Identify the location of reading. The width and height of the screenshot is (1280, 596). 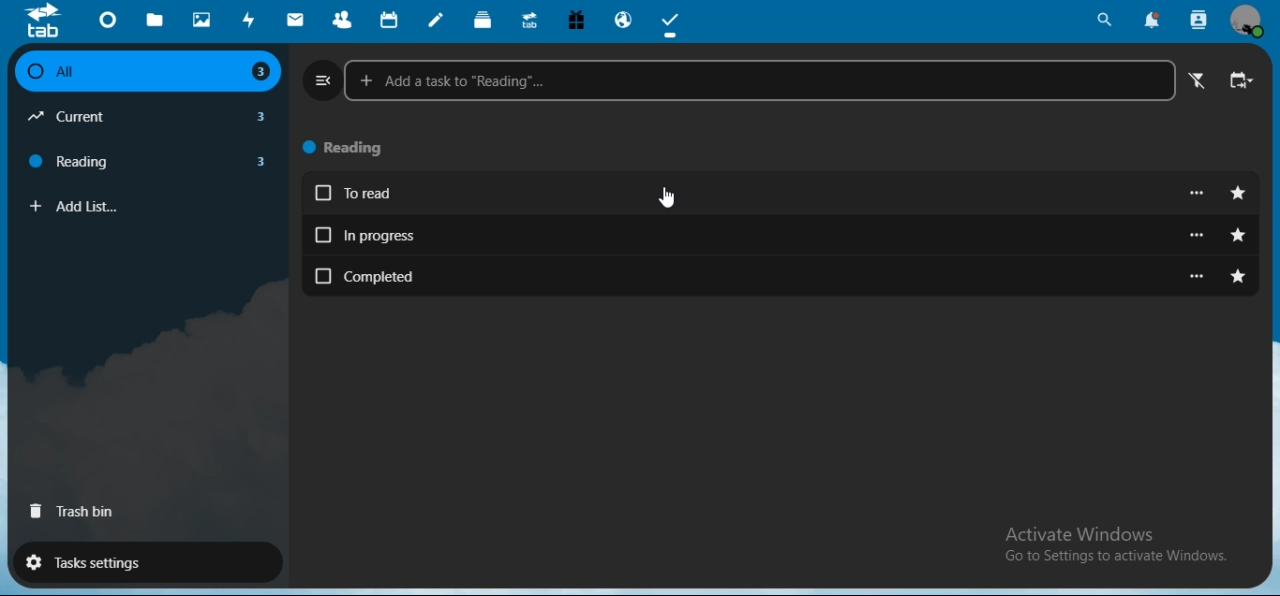
(353, 149).